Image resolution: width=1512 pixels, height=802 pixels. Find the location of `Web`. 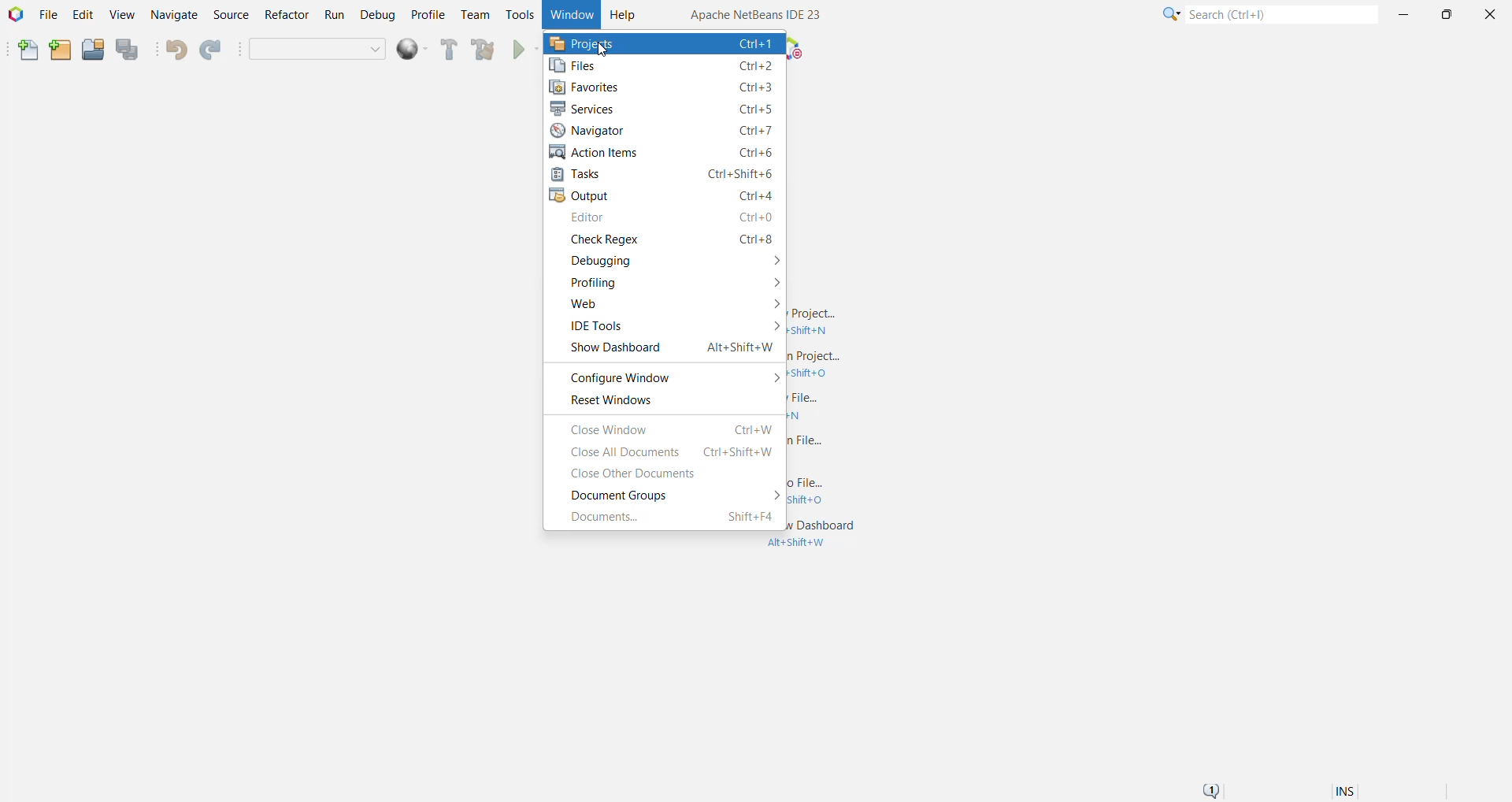

Web is located at coordinates (671, 305).